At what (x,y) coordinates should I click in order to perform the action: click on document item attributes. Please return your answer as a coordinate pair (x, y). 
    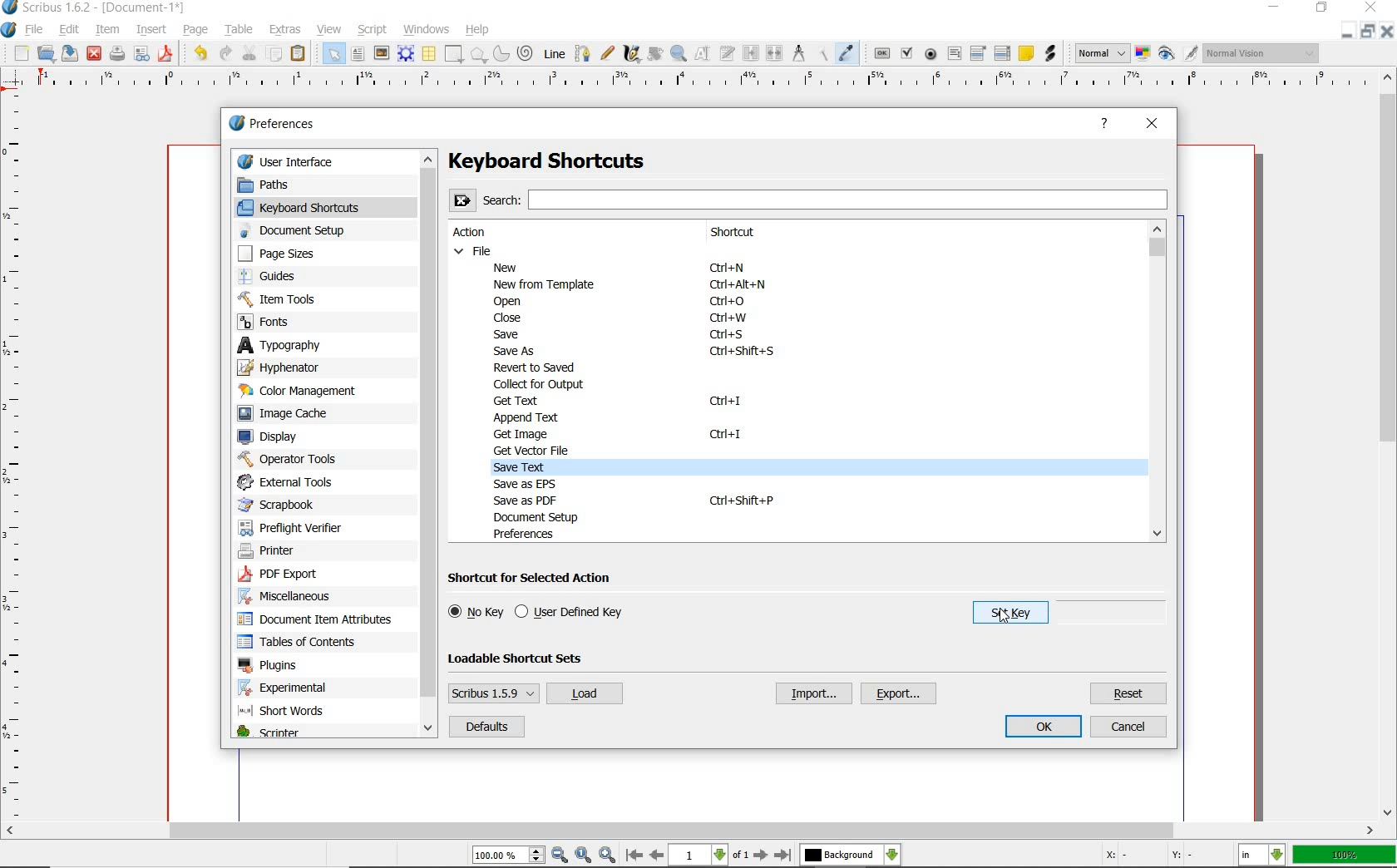
    Looking at the image, I should click on (320, 620).